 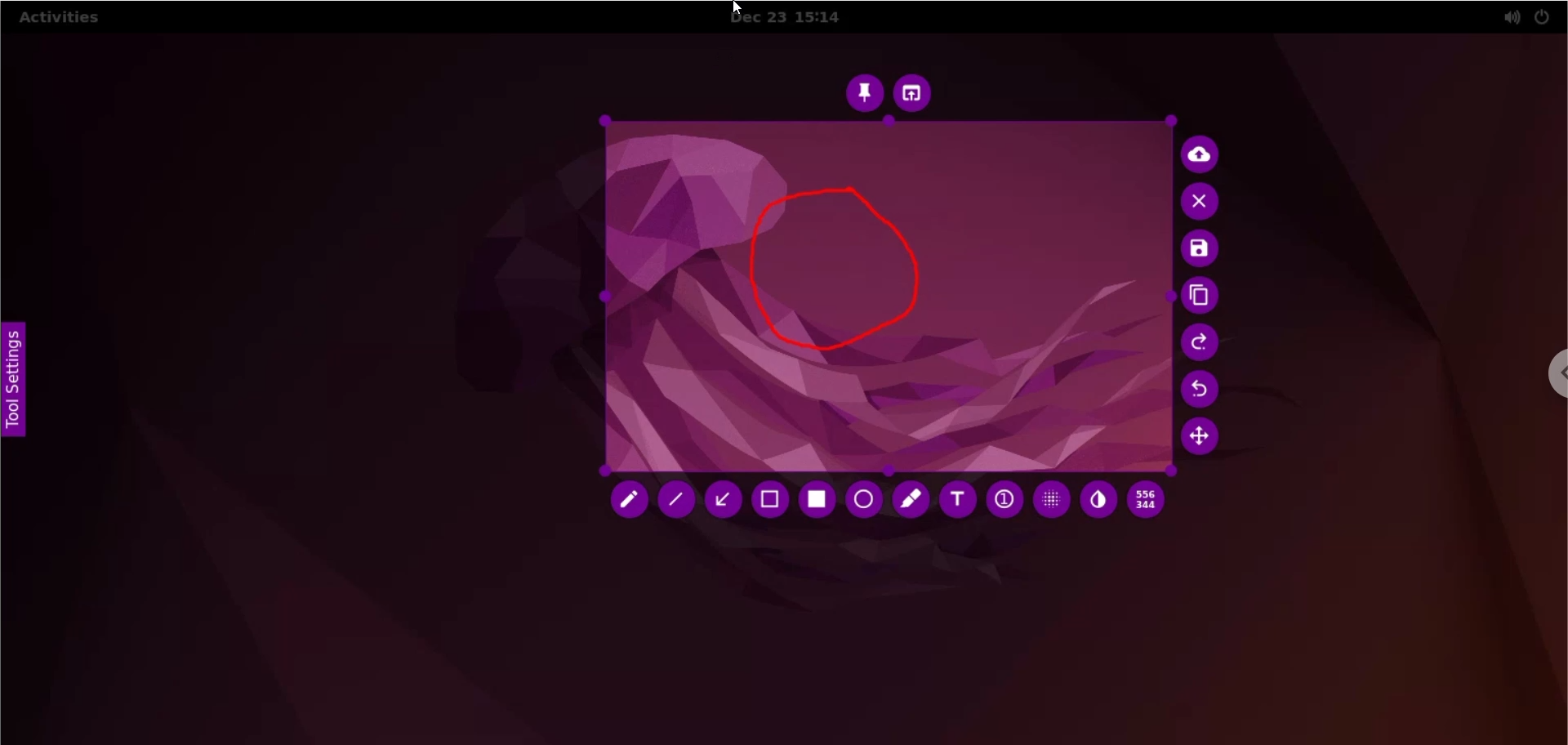 I want to click on rectangle, so click(x=822, y=500).